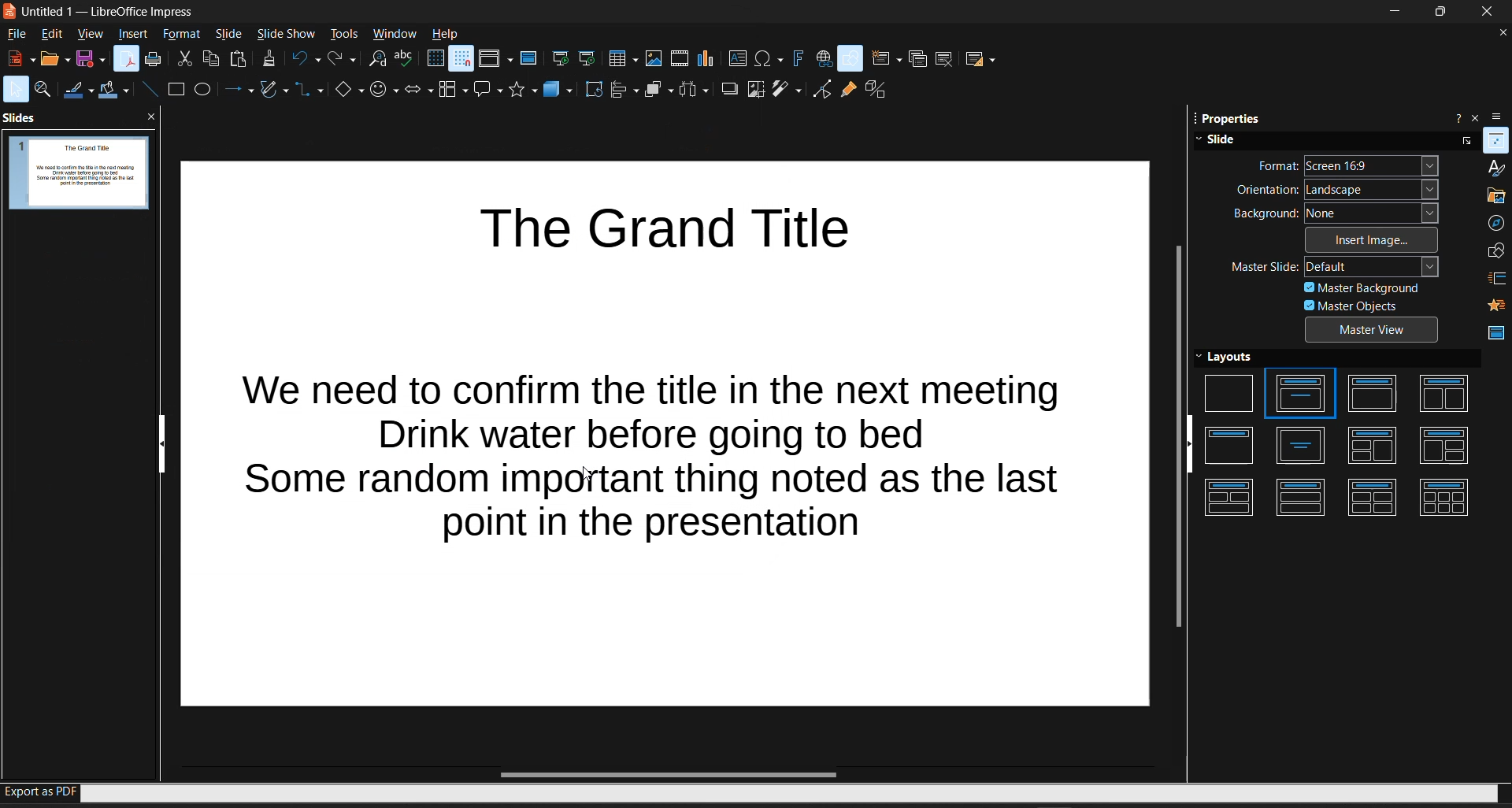  Describe the element at coordinates (1343, 439) in the screenshot. I see `layouts` at that location.